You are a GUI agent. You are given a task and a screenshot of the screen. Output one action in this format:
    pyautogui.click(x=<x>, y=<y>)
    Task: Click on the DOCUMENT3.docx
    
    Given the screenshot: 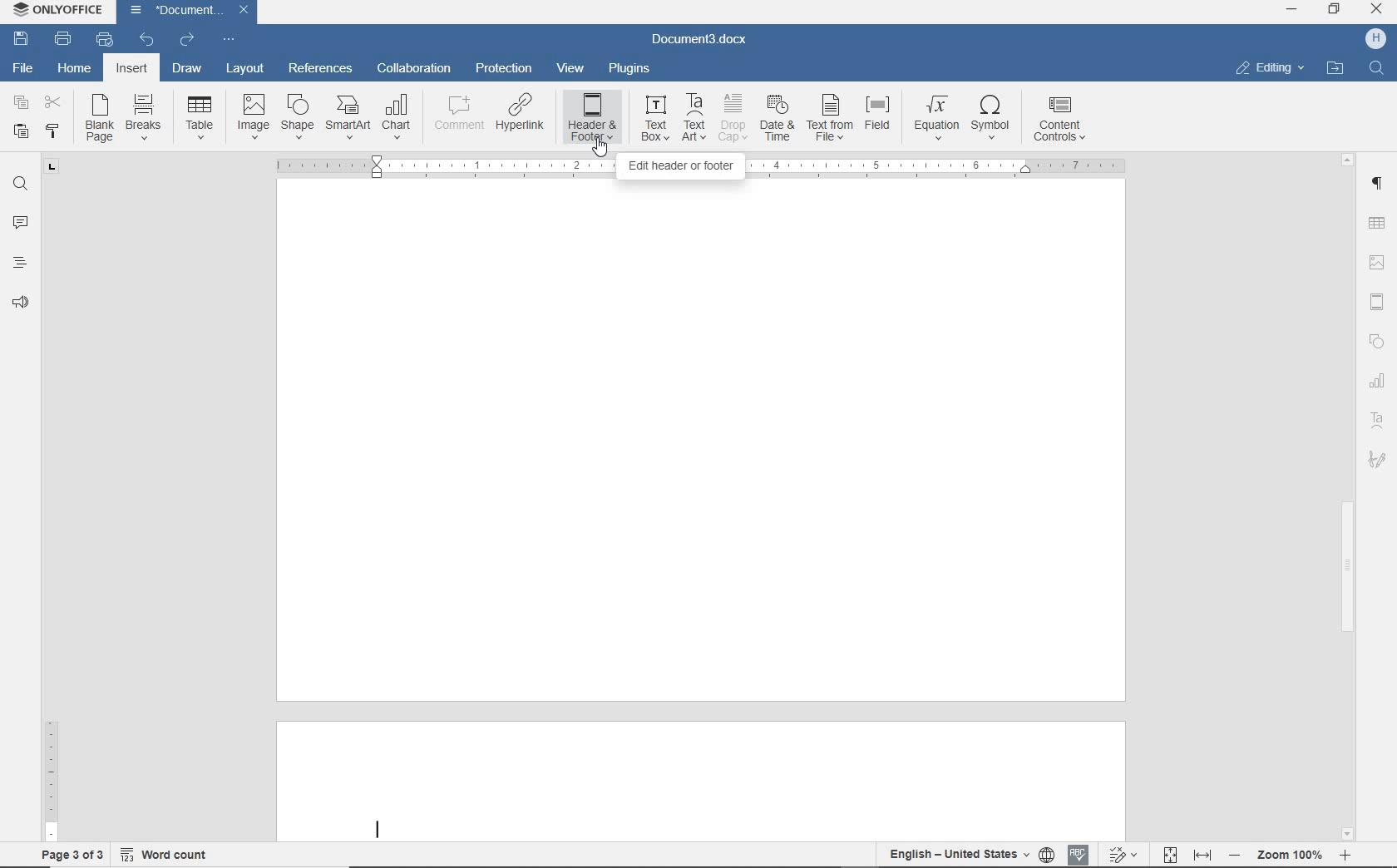 What is the action you would take?
    pyautogui.click(x=701, y=40)
    